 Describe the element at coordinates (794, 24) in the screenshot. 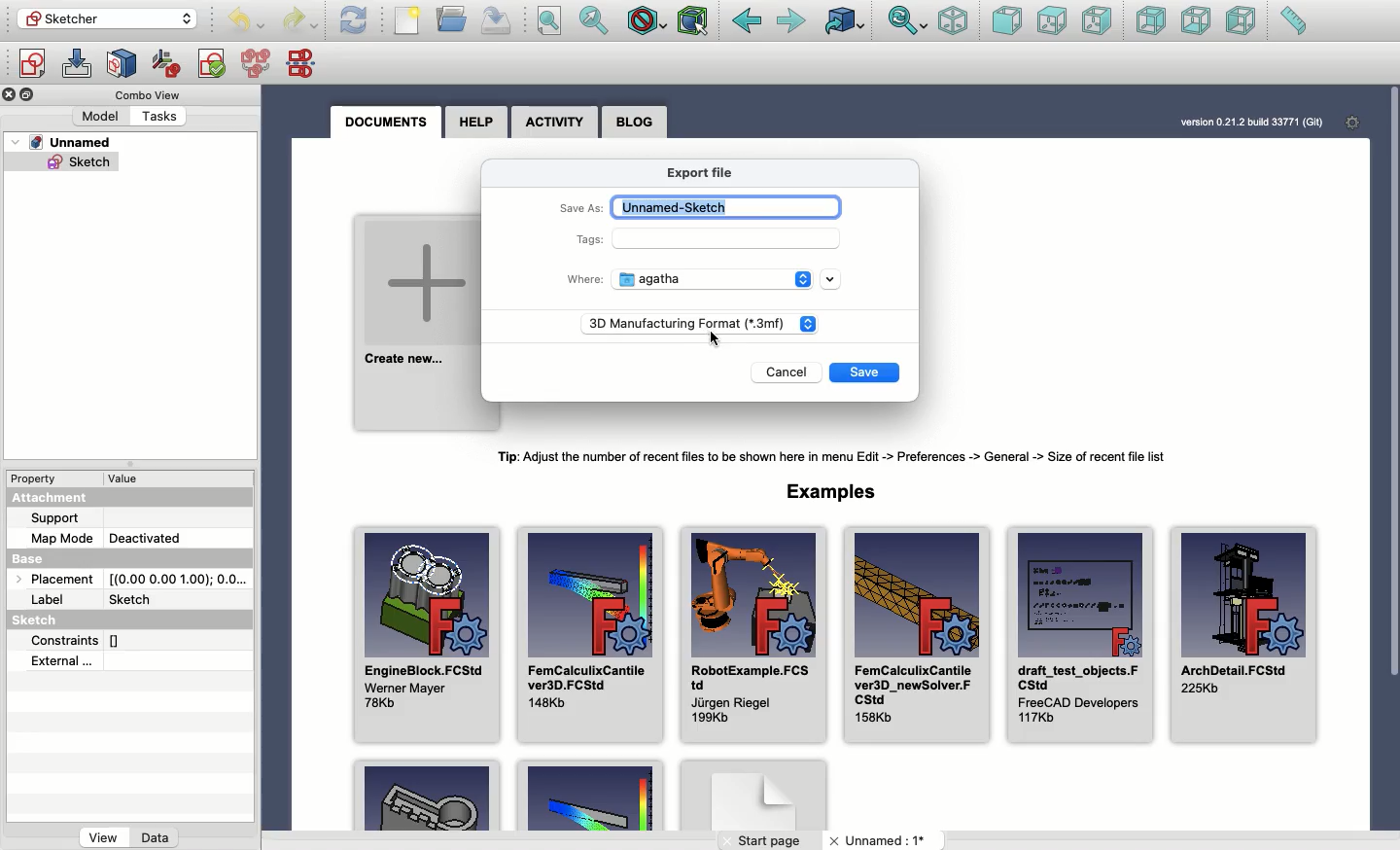

I see `Forward` at that location.